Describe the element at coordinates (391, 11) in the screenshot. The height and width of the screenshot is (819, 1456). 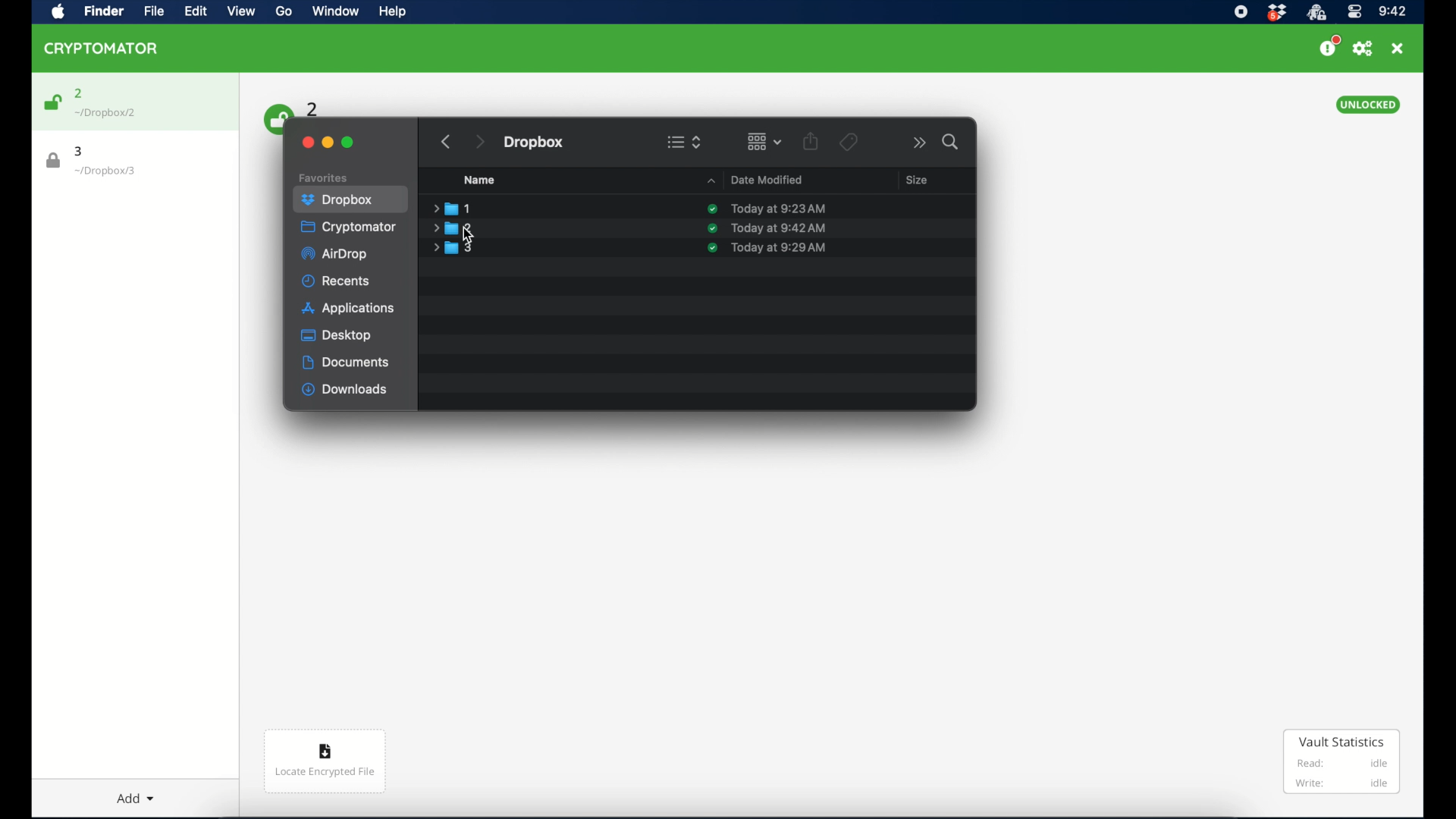
I see `help` at that location.